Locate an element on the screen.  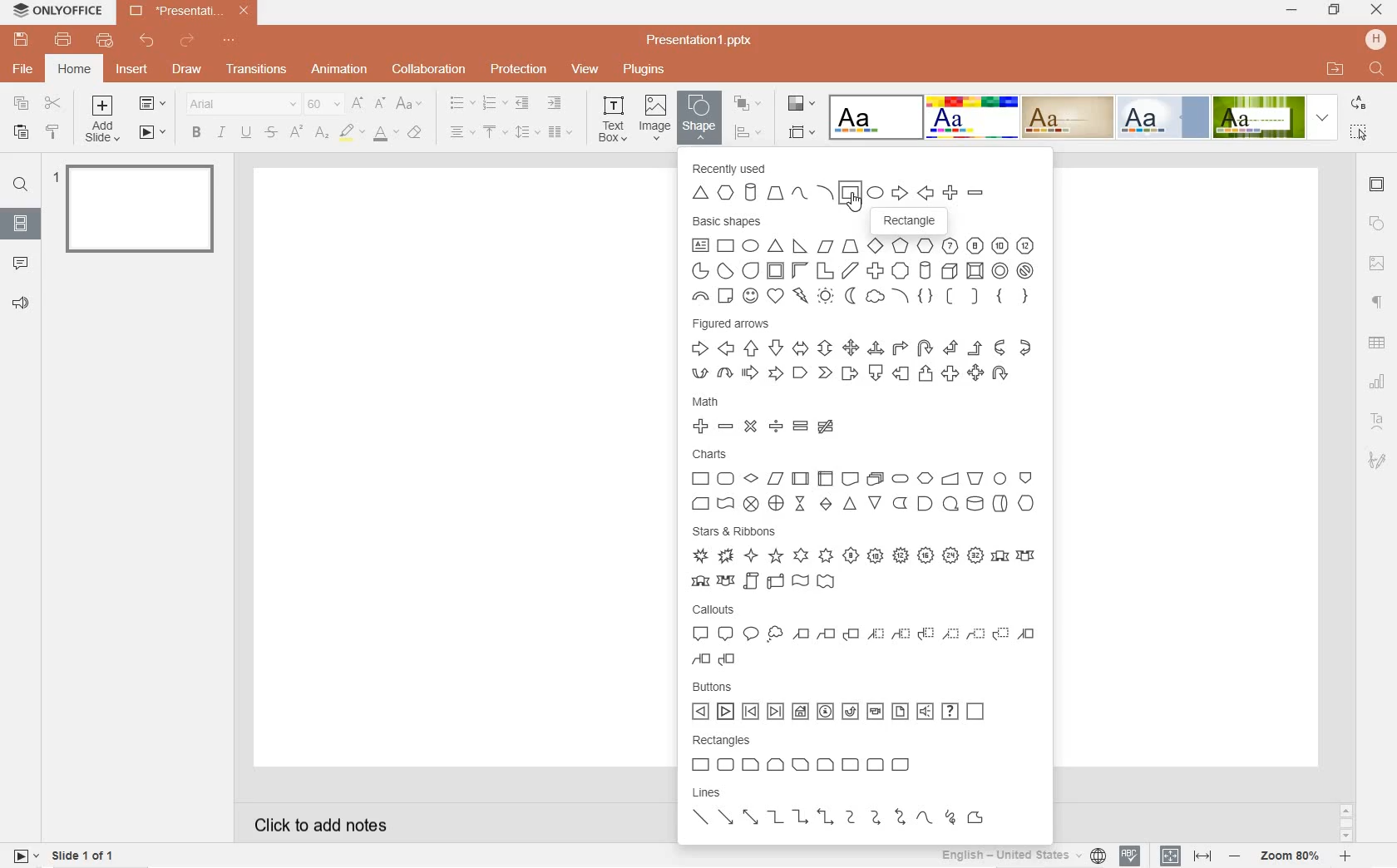
comments is located at coordinates (22, 262).